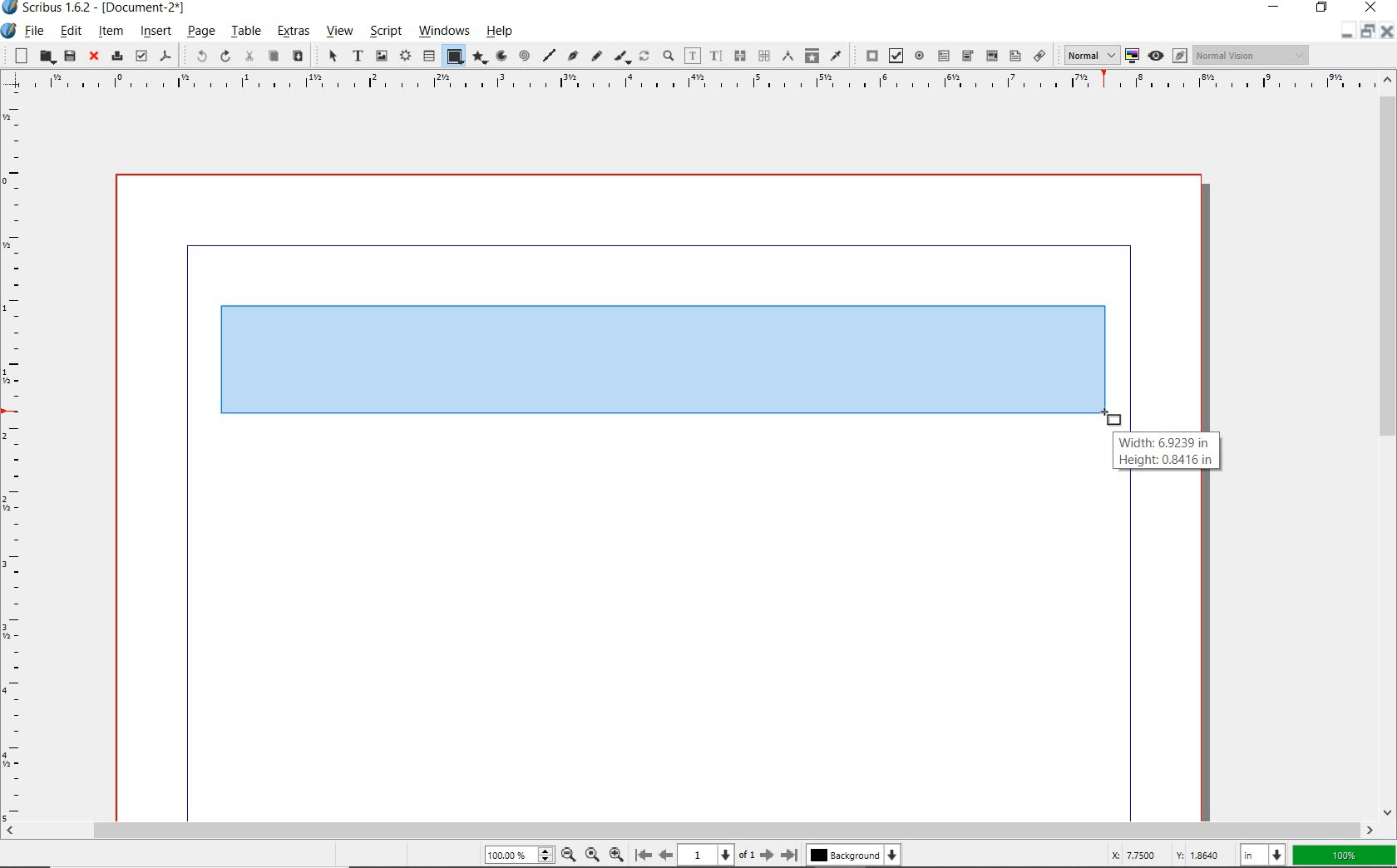  What do you see at coordinates (1164, 856) in the screenshot?
I see `coordinates` at bounding box center [1164, 856].